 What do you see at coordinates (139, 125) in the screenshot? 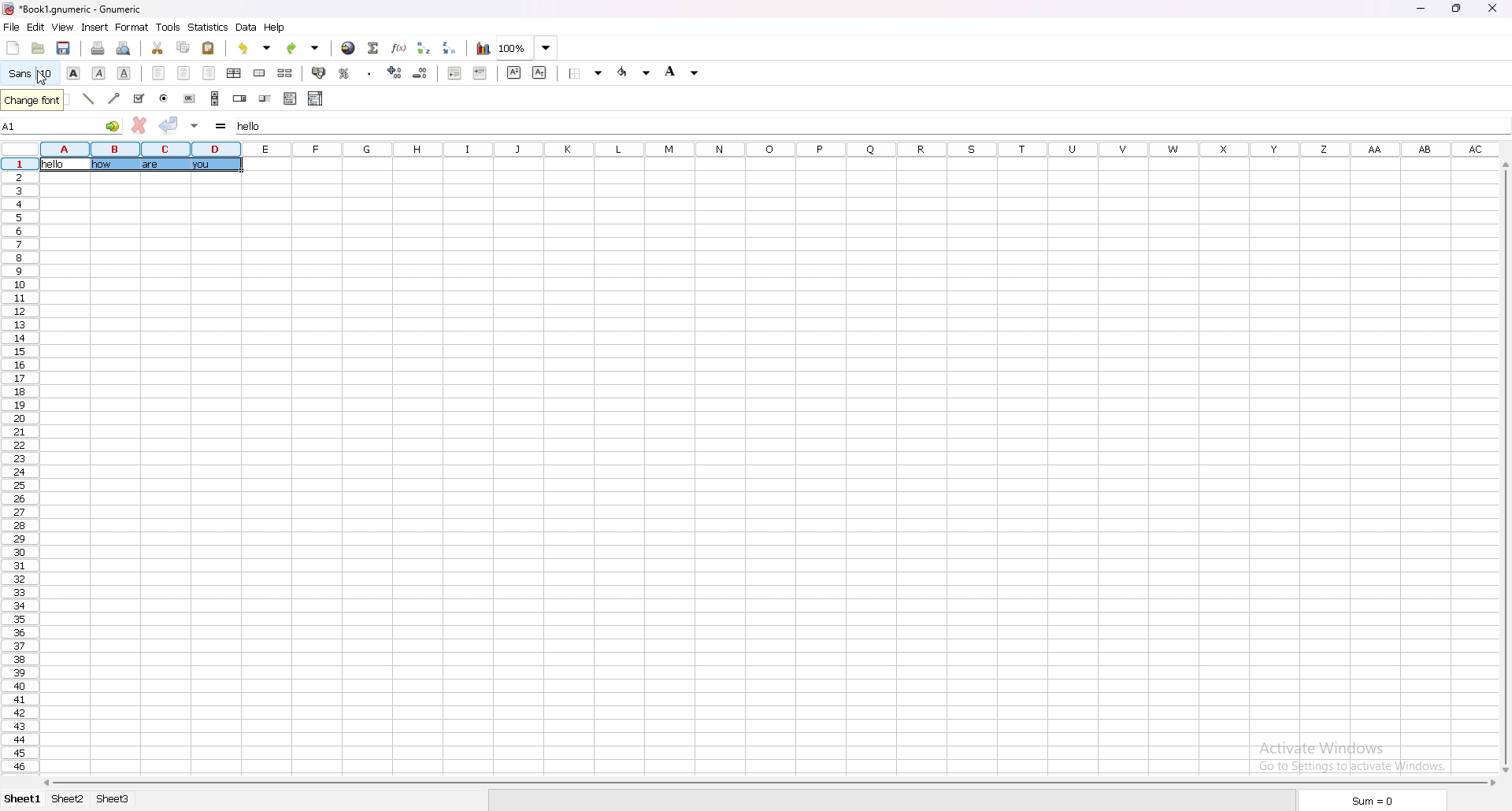
I see `cancel changes` at bounding box center [139, 125].